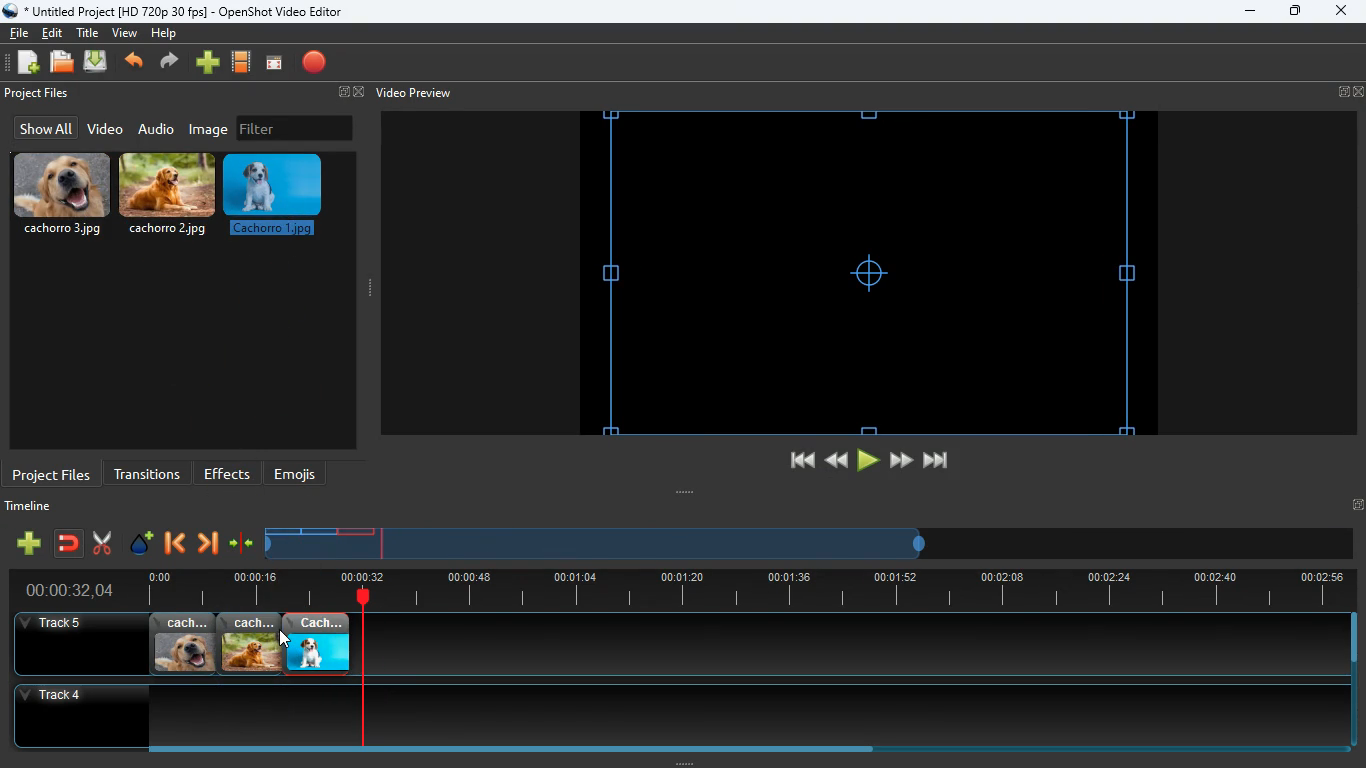  Describe the element at coordinates (33, 509) in the screenshot. I see `timeline` at that location.